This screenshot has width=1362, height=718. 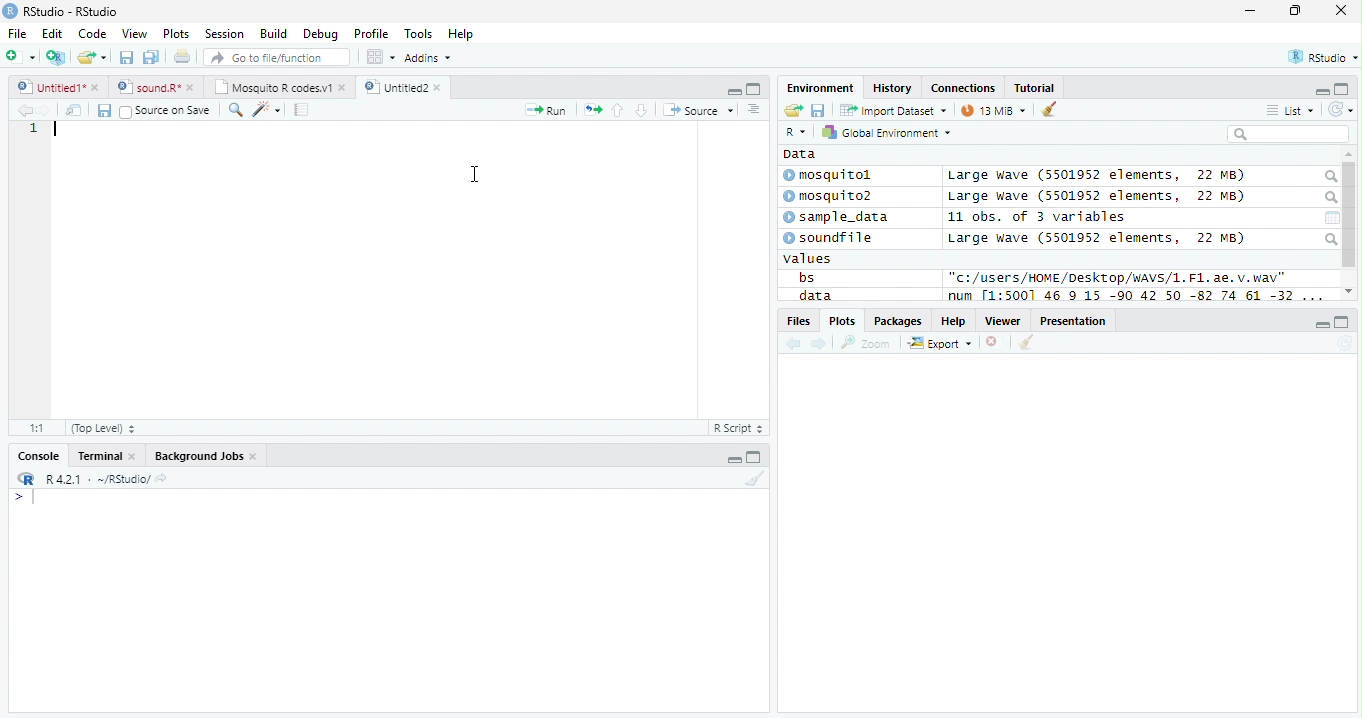 What do you see at coordinates (1343, 322) in the screenshot?
I see `full screen` at bounding box center [1343, 322].